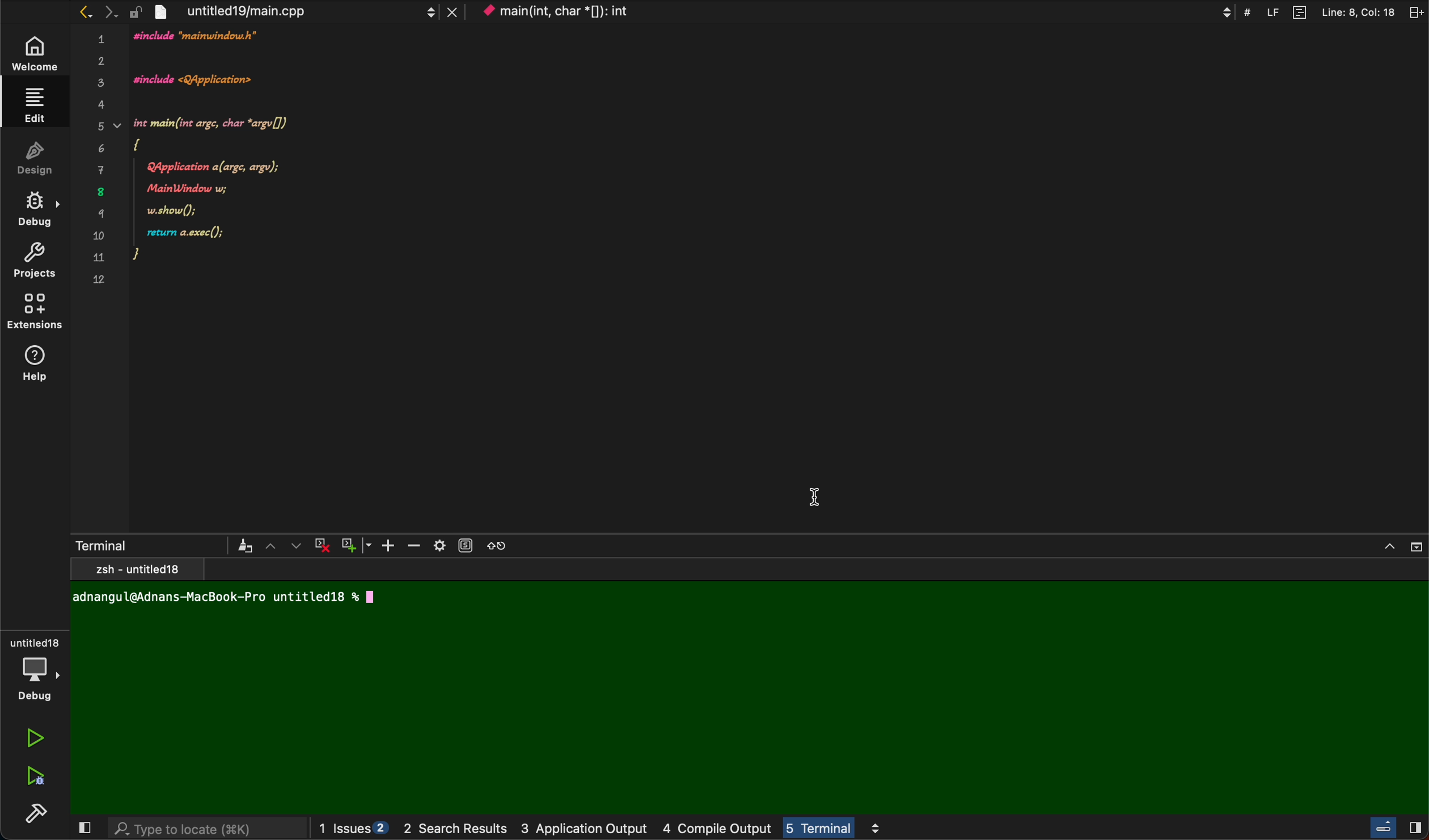 This screenshot has width=1429, height=840. Describe the element at coordinates (814, 488) in the screenshot. I see `cursor` at that location.